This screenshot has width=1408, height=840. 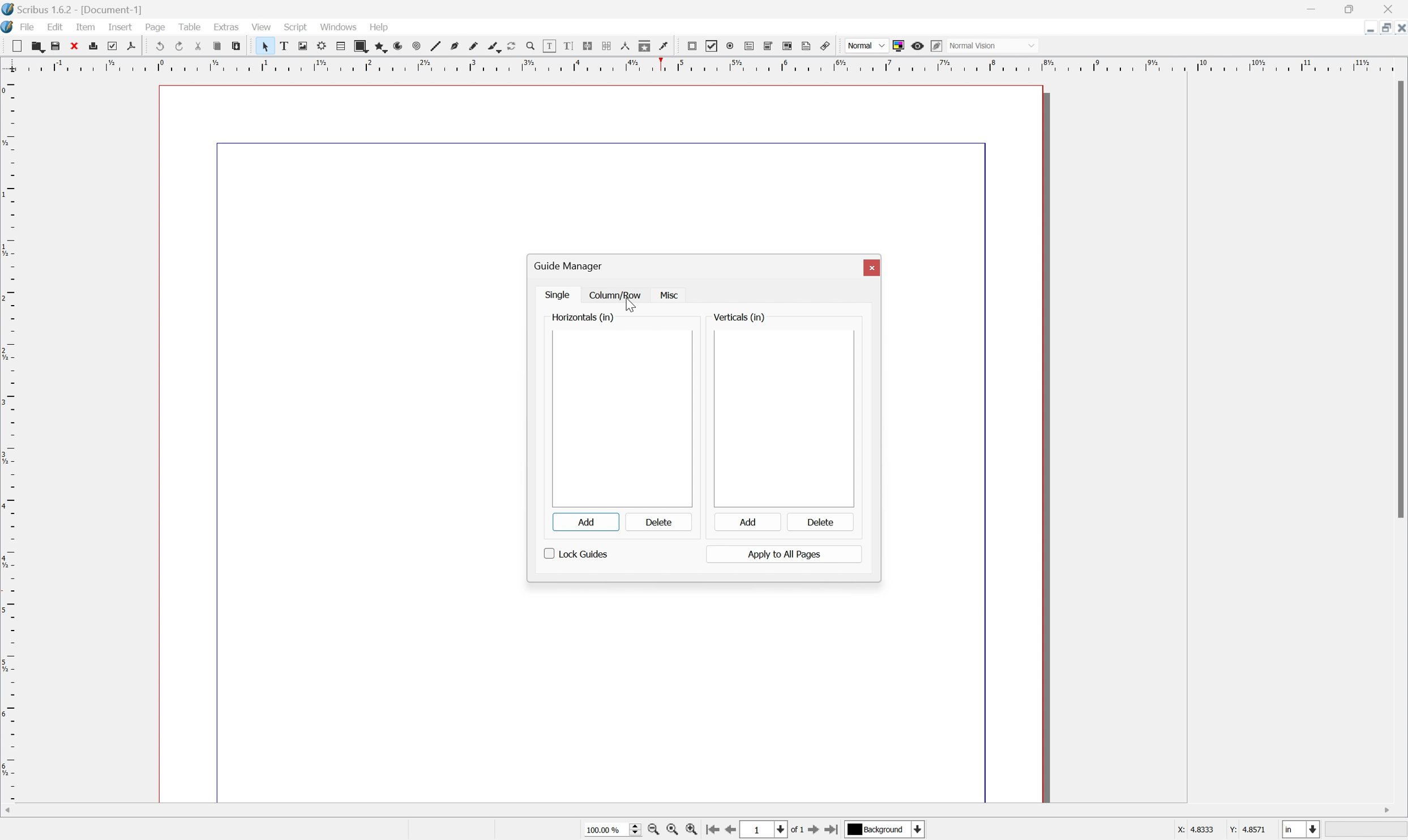 What do you see at coordinates (1381, 28) in the screenshot?
I see `restore down` at bounding box center [1381, 28].